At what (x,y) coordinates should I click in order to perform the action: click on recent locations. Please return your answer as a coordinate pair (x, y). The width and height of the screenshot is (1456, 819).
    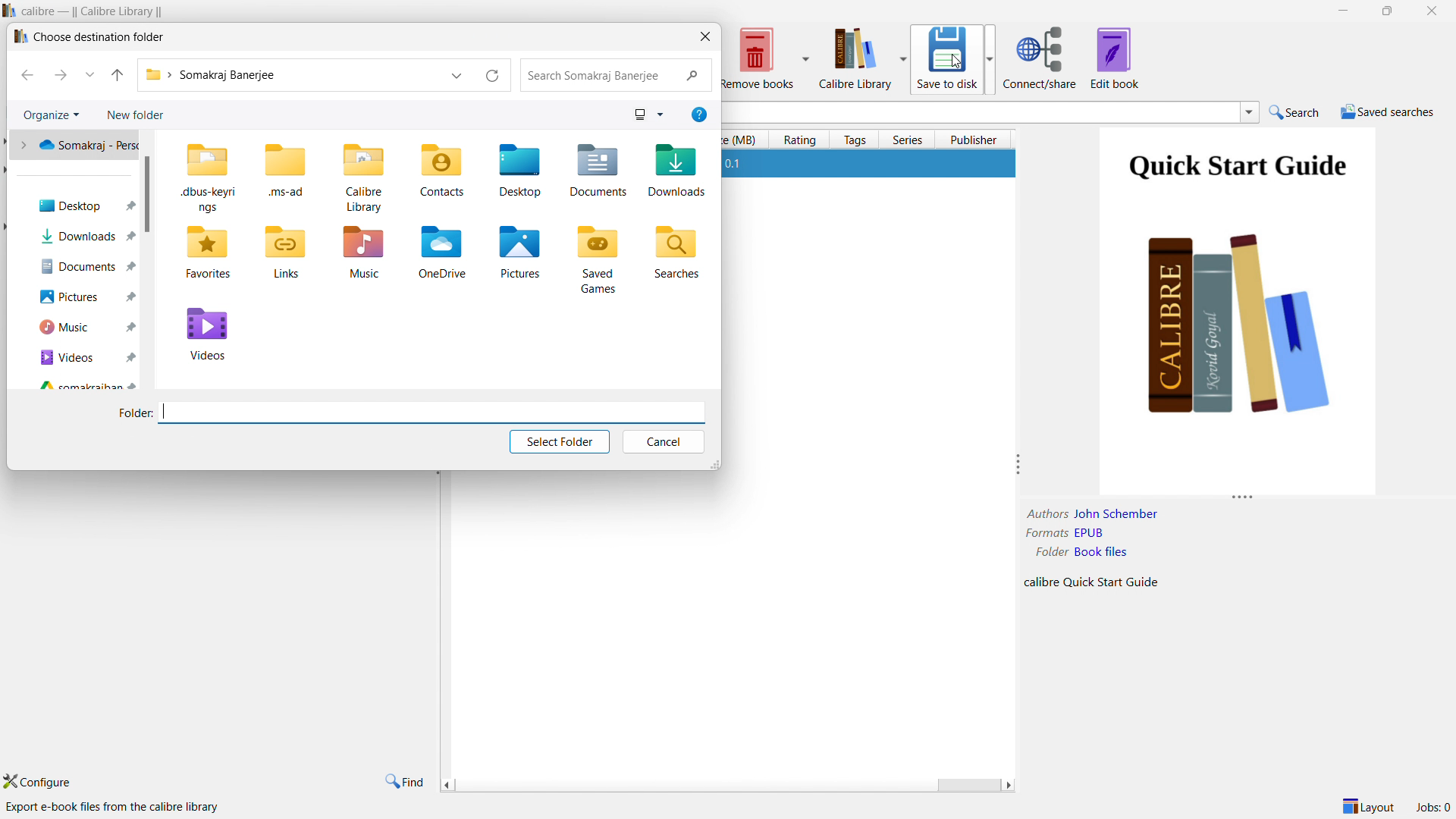
    Looking at the image, I should click on (90, 74).